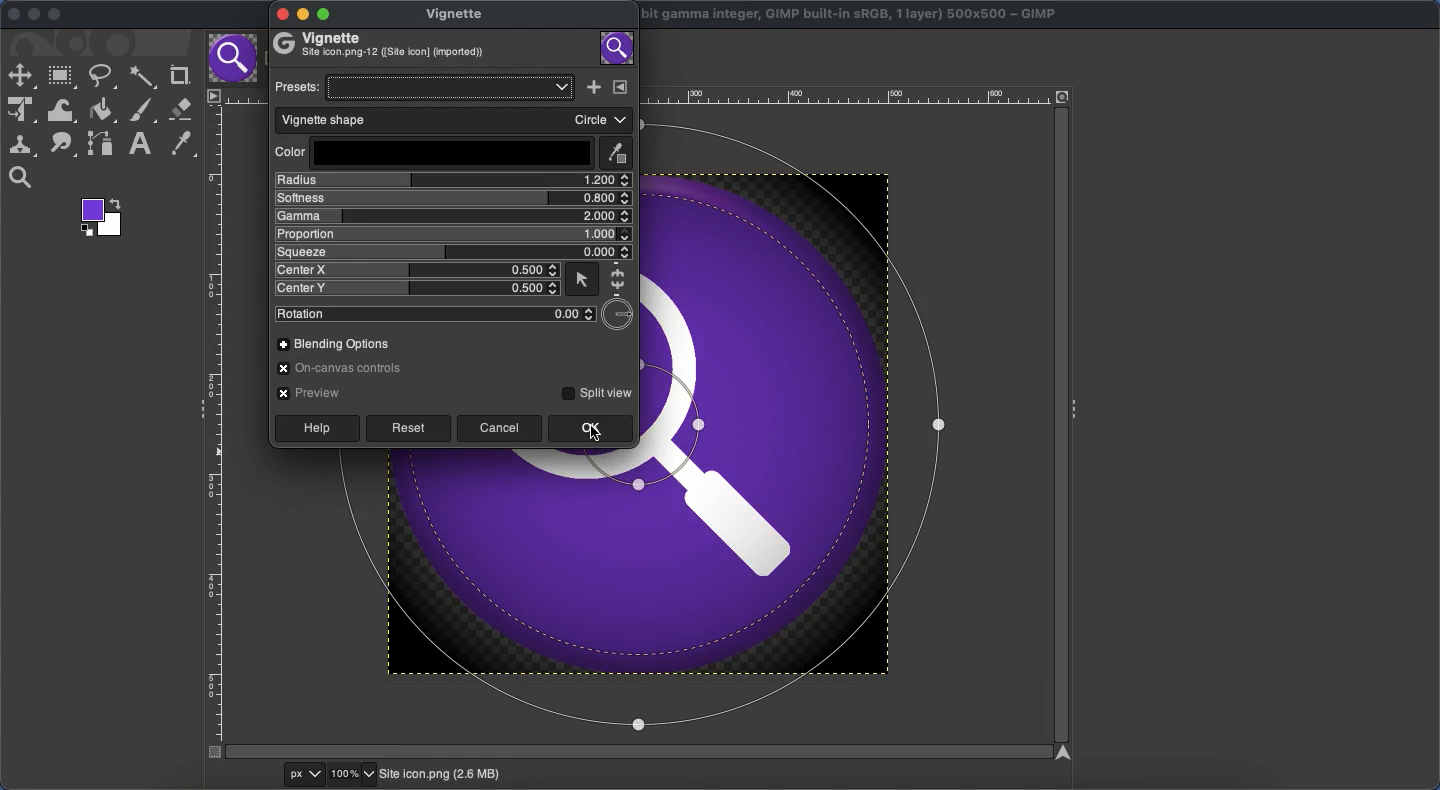 Image resolution: width=1440 pixels, height=790 pixels. What do you see at coordinates (385, 45) in the screenshot?
I see `Vignette` at bounding box center [385, 45].